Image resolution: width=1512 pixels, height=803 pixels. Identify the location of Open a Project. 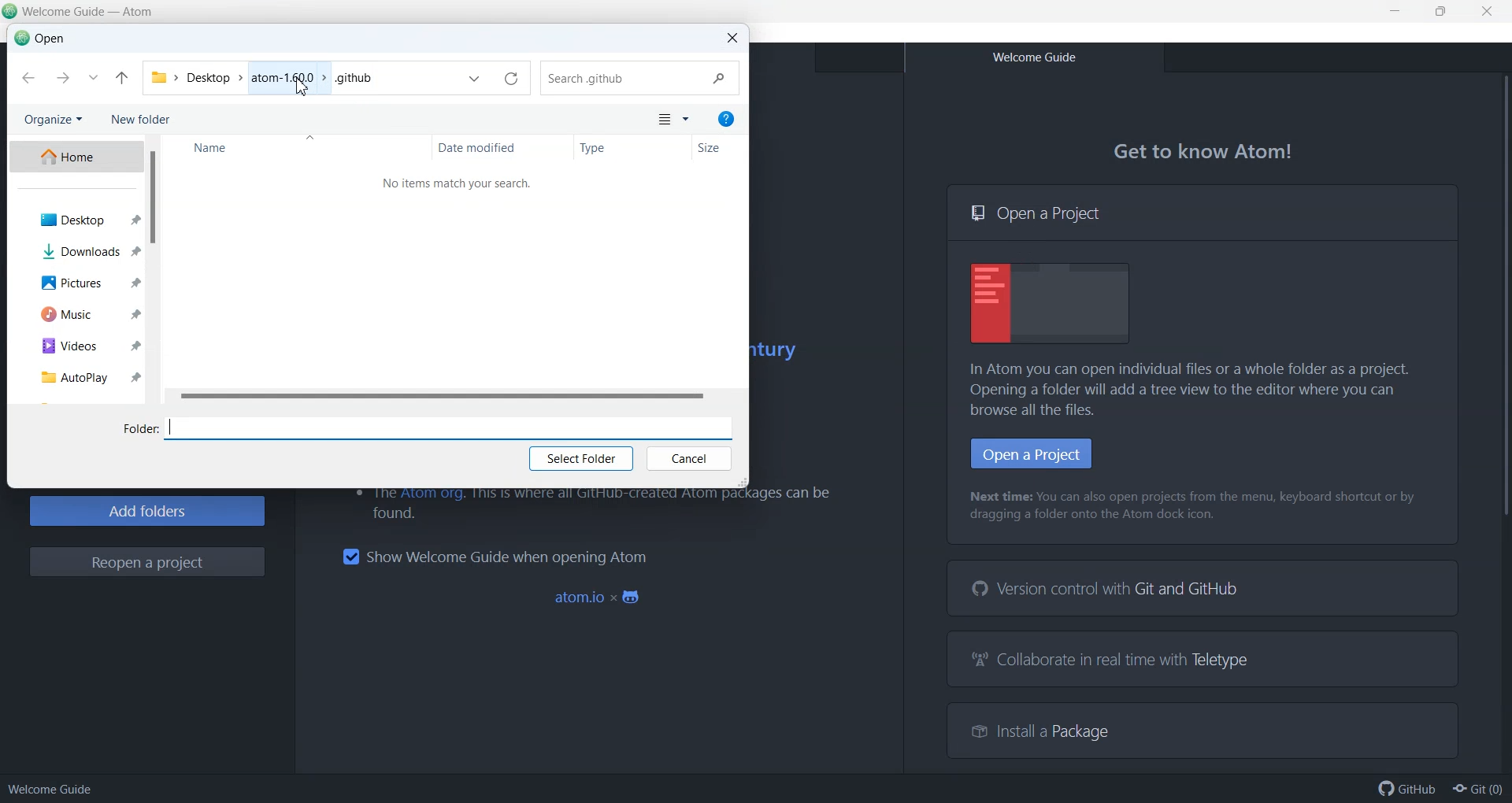
(1203, 213).